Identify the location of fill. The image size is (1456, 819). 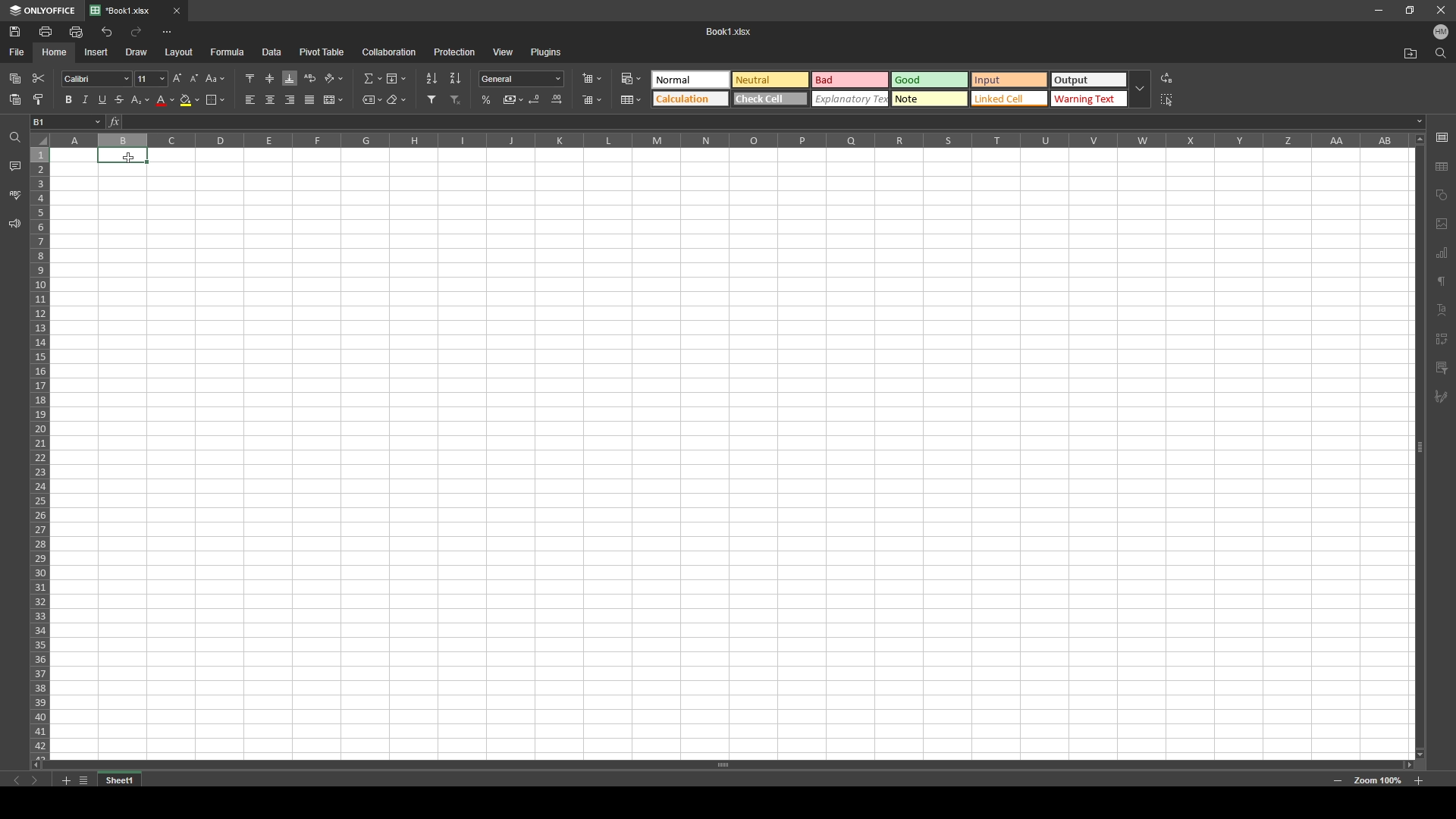
(396, 77).